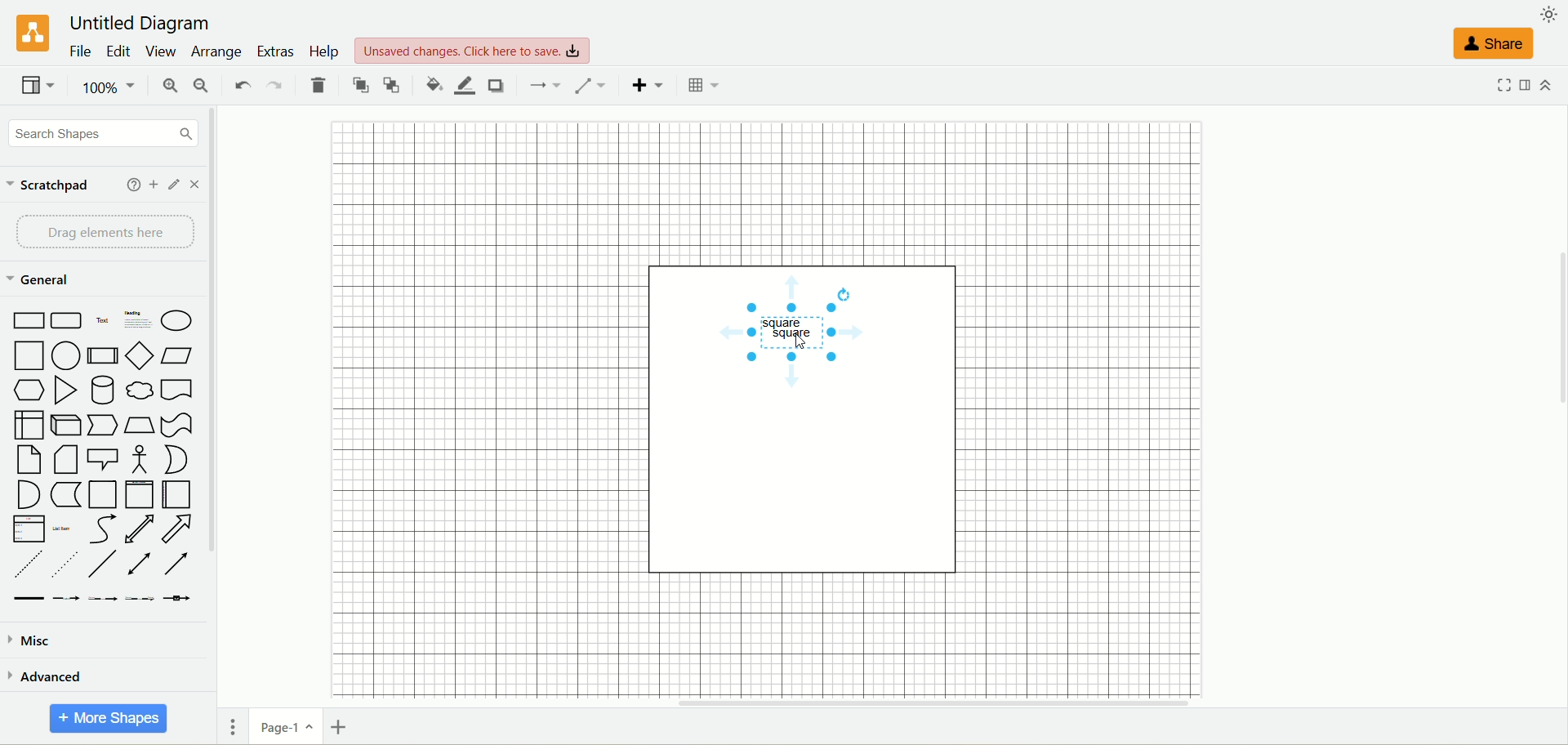 The image size is (1568, 745). What do you see at coordinates (224, 399) in the screenshot?
I see `vertical scroll bar` at bounding box center [224, 399].